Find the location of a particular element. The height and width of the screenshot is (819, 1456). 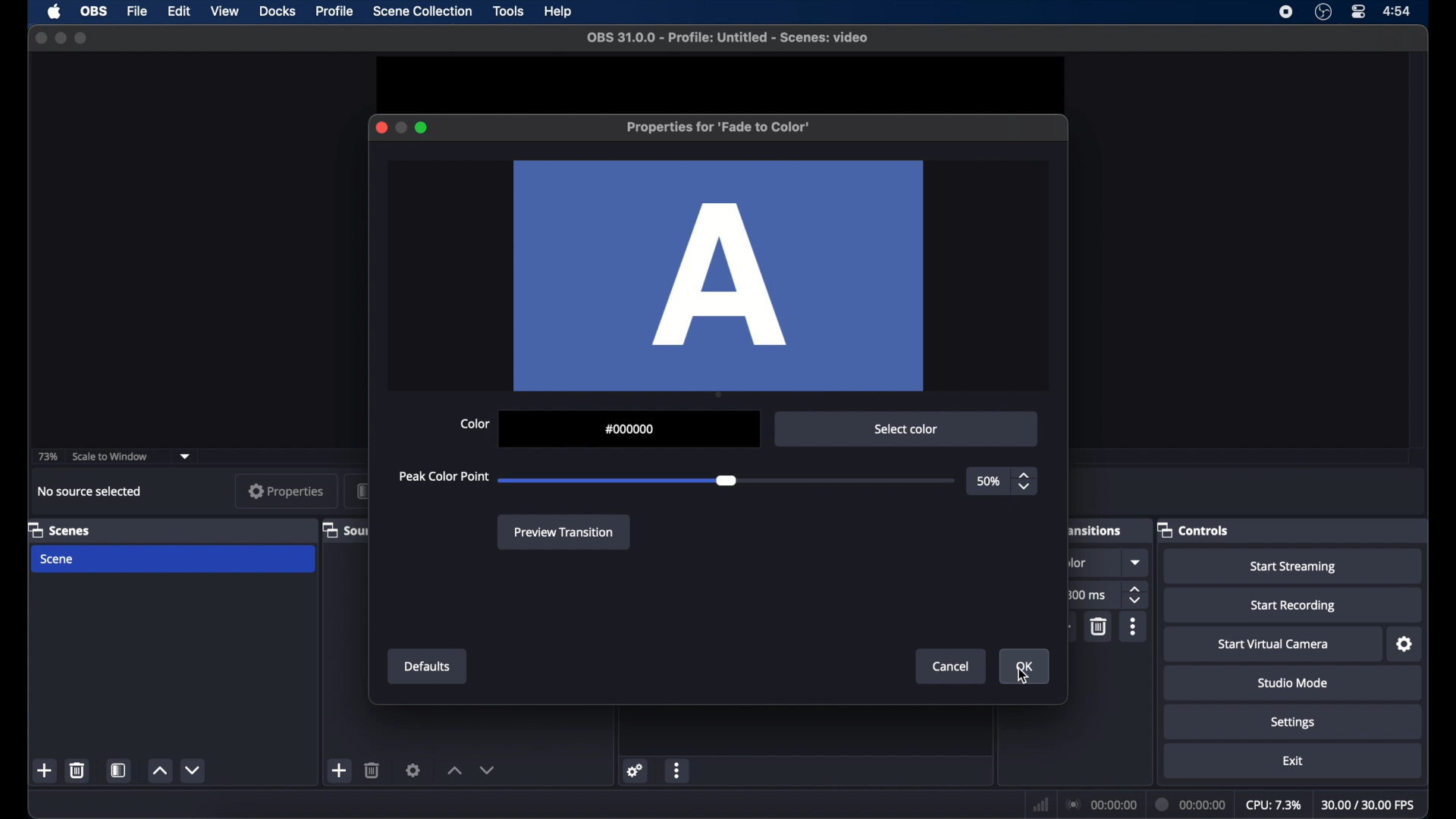

settings is located at coordinates (1405, 645).